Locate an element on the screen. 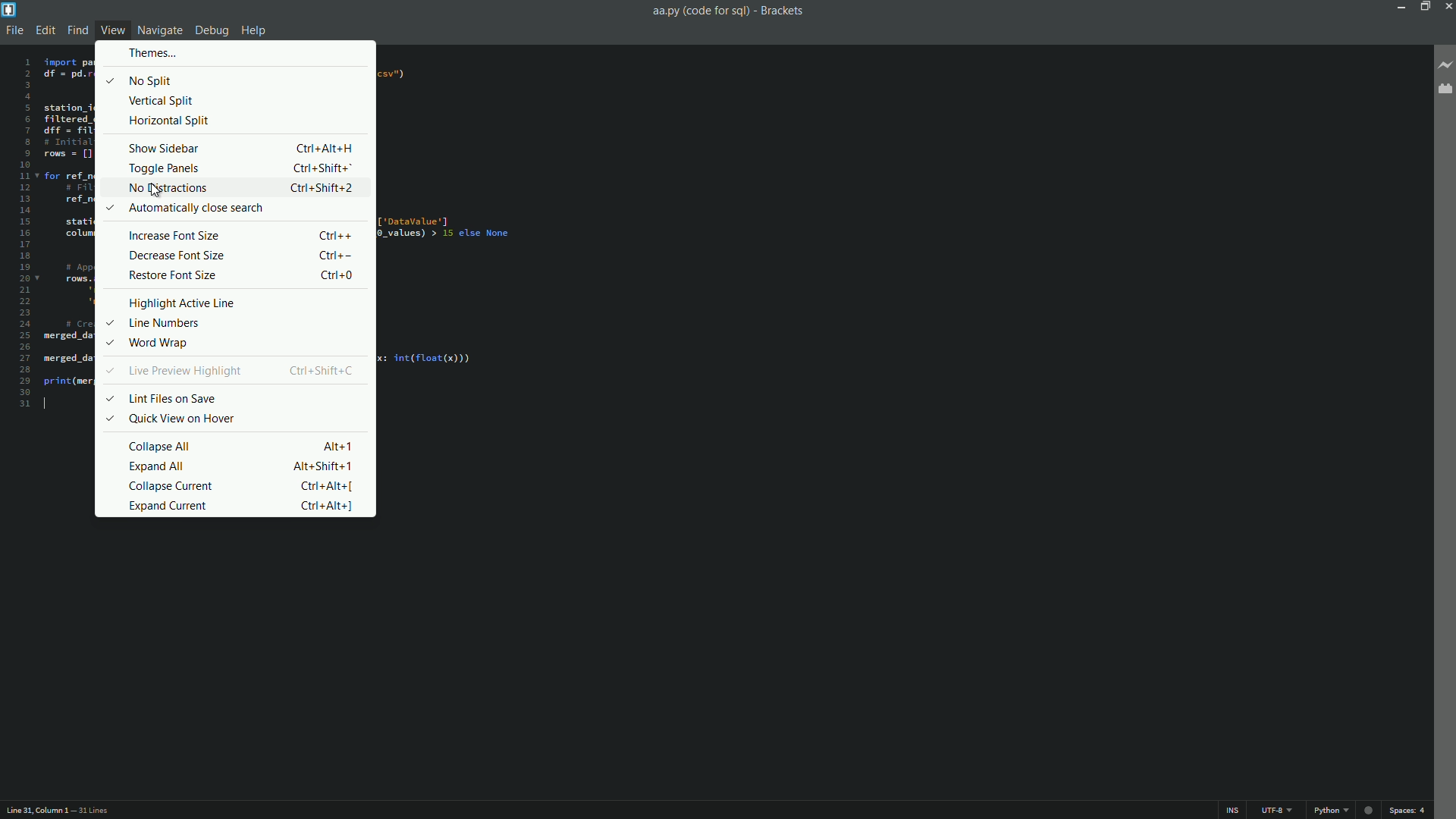  lint files on save is located at coordinates (242, 397).